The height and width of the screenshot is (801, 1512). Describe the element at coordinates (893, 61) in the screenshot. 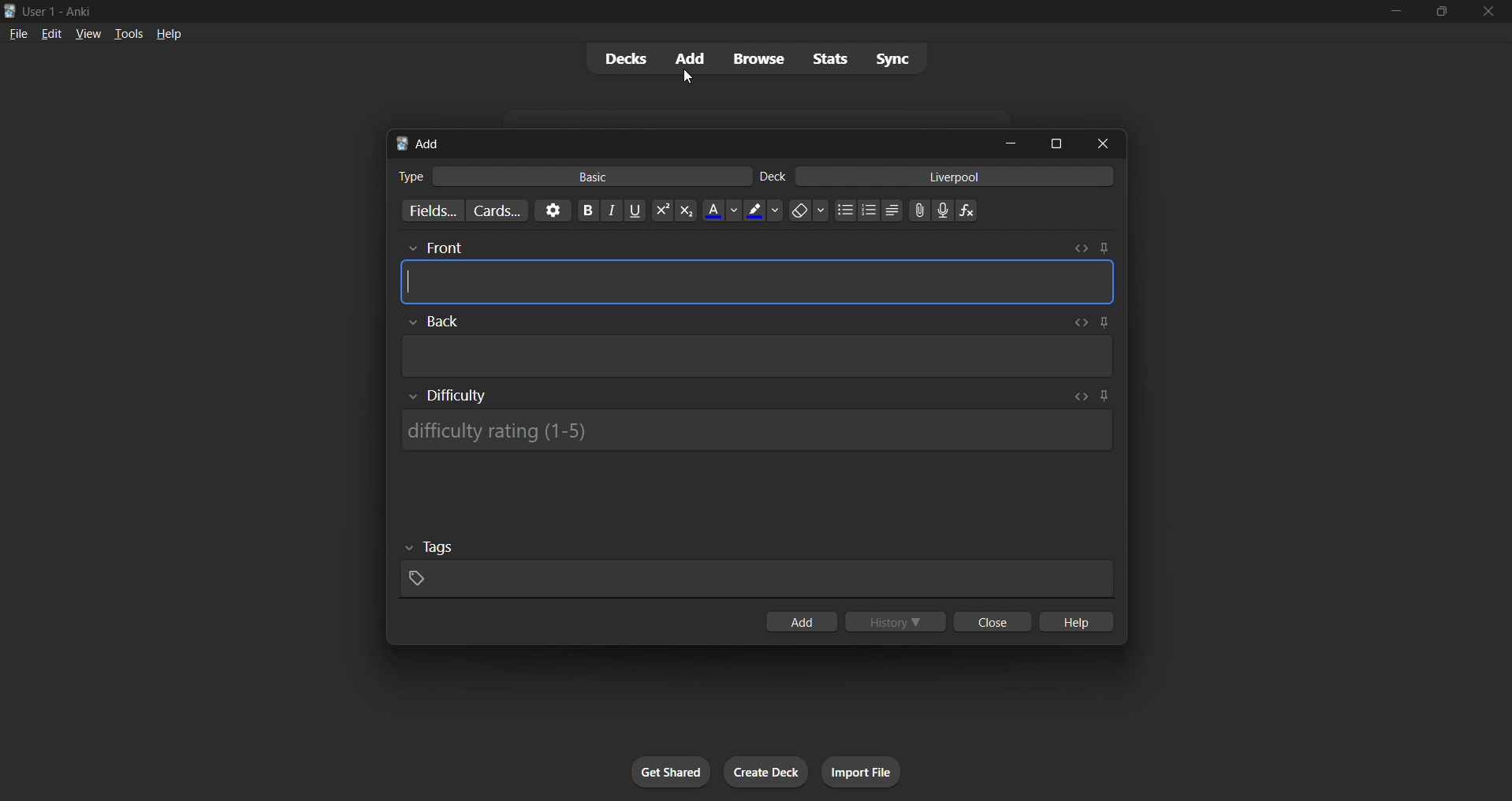

I see `sync` at that location.